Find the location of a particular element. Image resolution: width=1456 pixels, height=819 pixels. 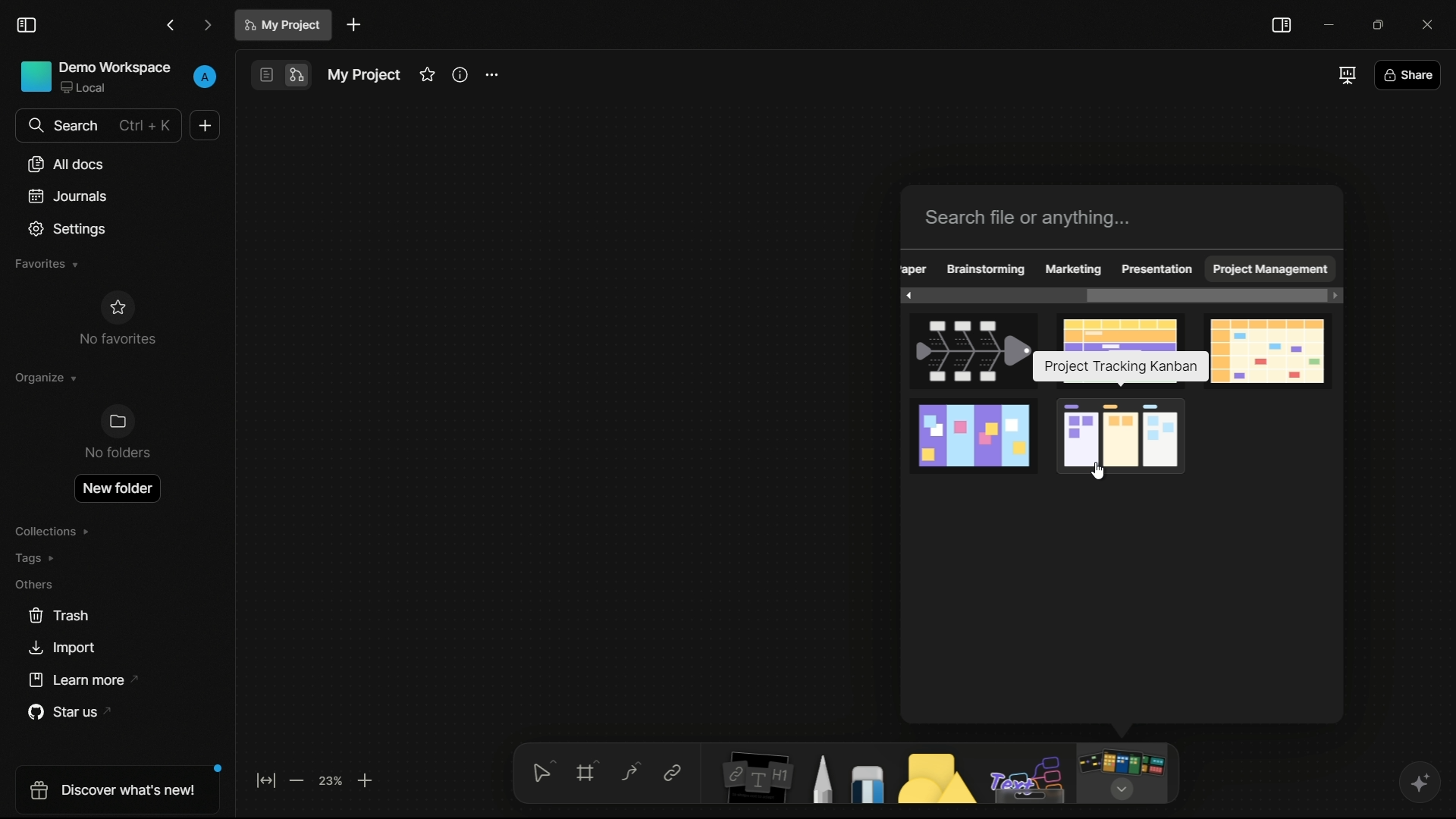

share is located at coordinates (1407, 77).